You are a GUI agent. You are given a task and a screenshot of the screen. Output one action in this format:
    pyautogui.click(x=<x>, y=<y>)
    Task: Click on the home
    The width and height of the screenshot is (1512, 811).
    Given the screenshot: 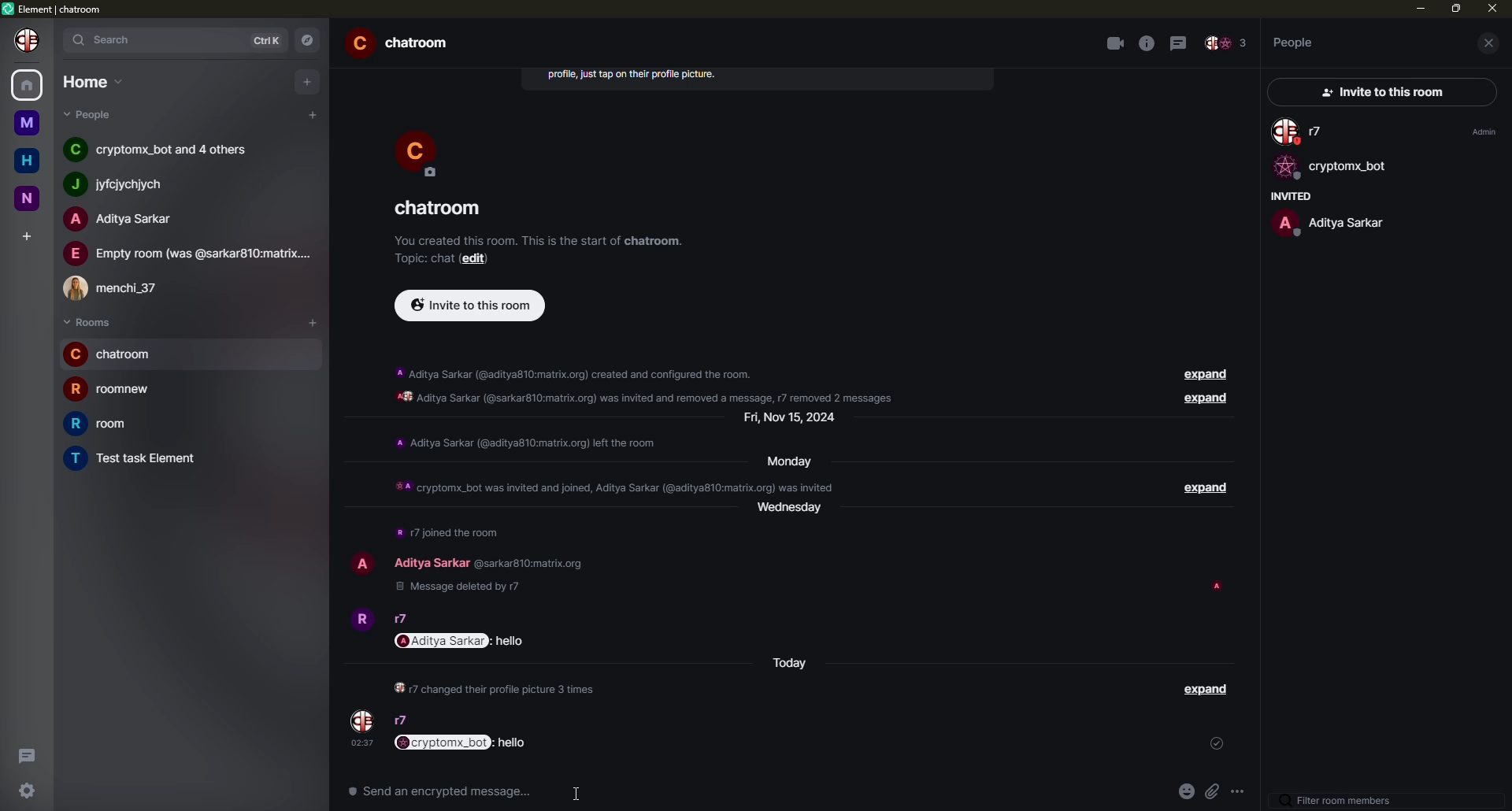 What is the action you would take?
    pyautogui.click(x=29, y=161)
    